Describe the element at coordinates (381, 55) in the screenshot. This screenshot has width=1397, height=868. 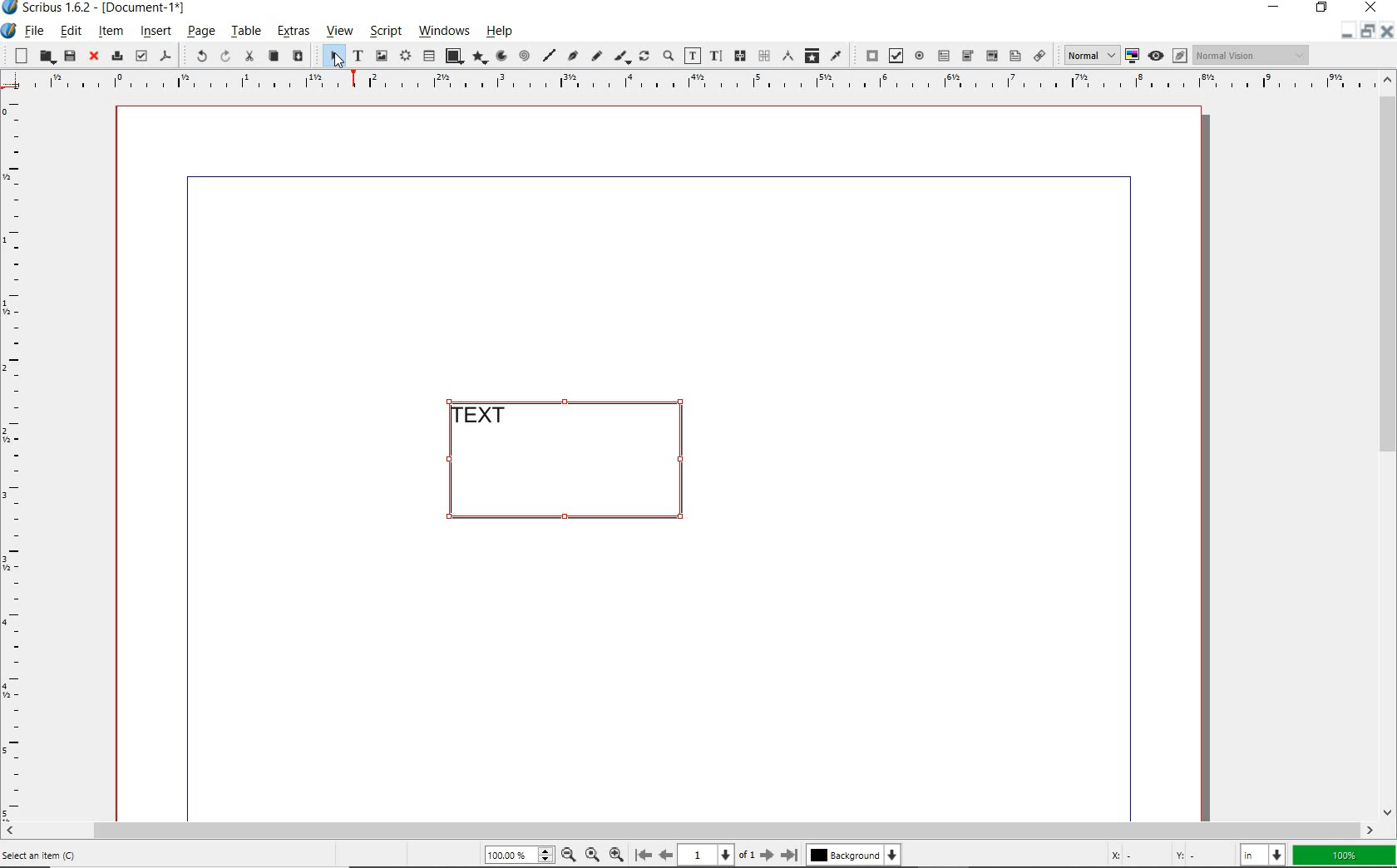
I see `image frame` at that location.